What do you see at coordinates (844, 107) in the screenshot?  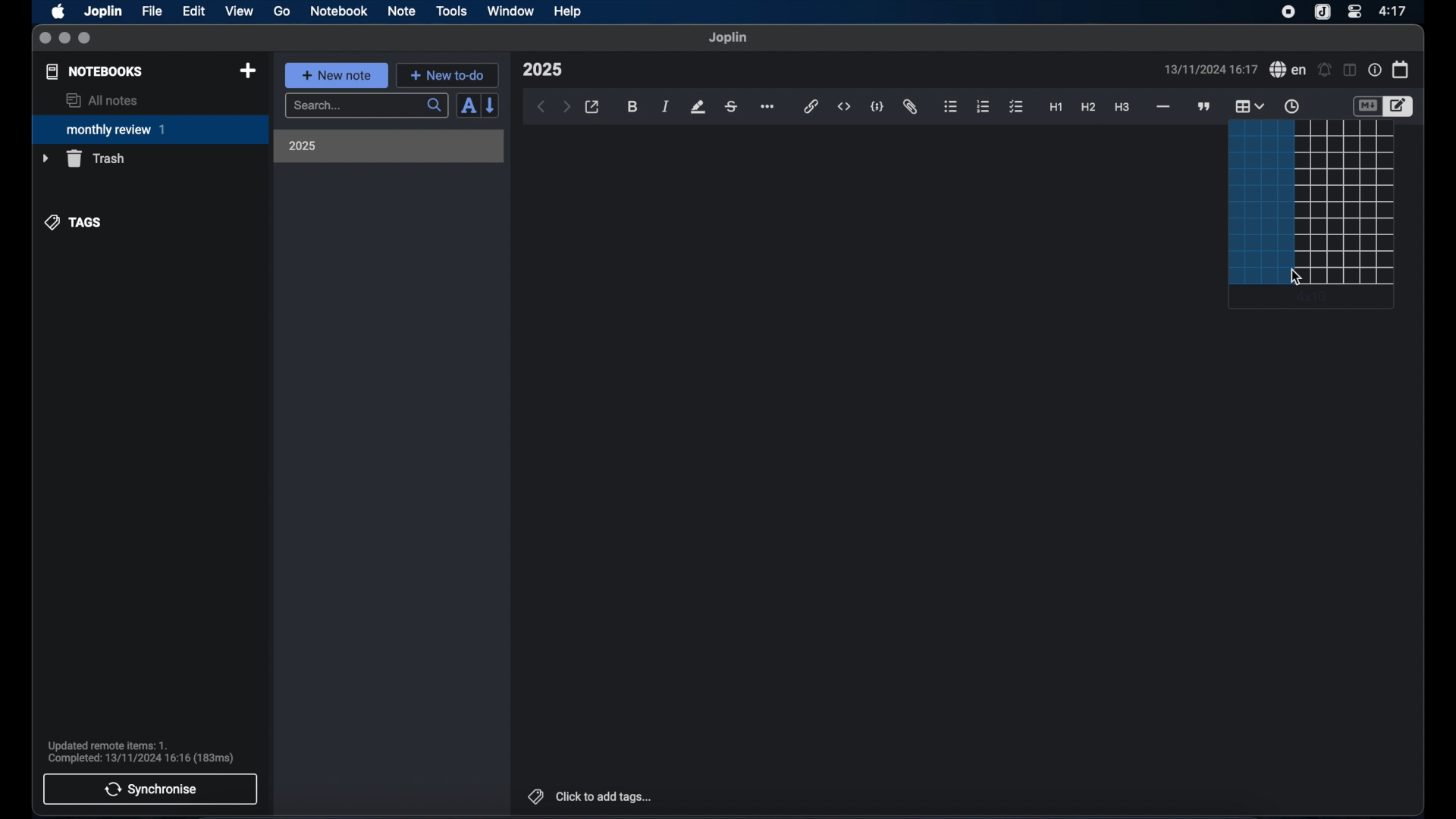 I see `inline code` at bounding box center [844, 107].